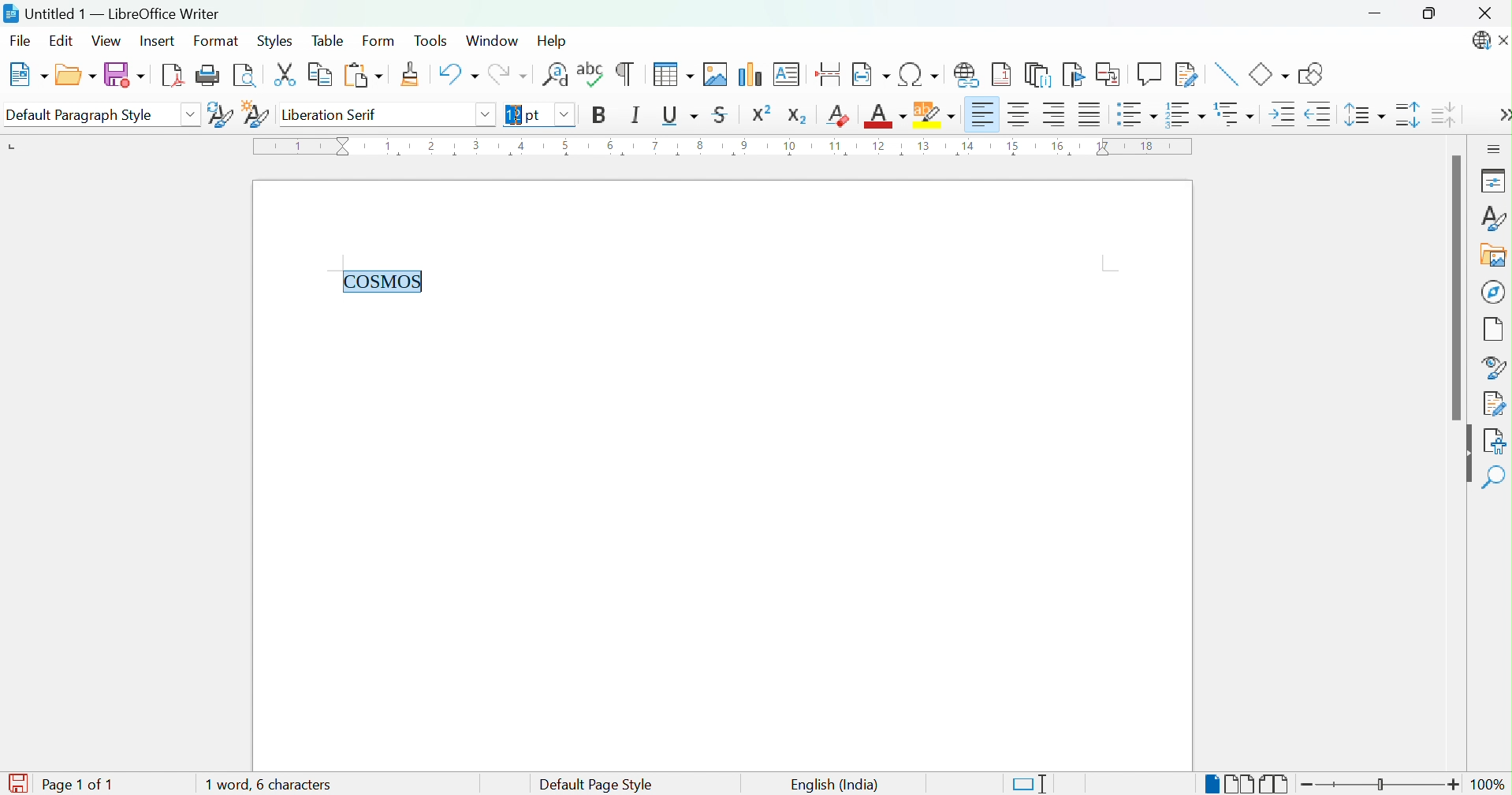  What do you see at coordinates (318, 75) in the screenshot?
I see `Copy` at bounding box center [318, 75].